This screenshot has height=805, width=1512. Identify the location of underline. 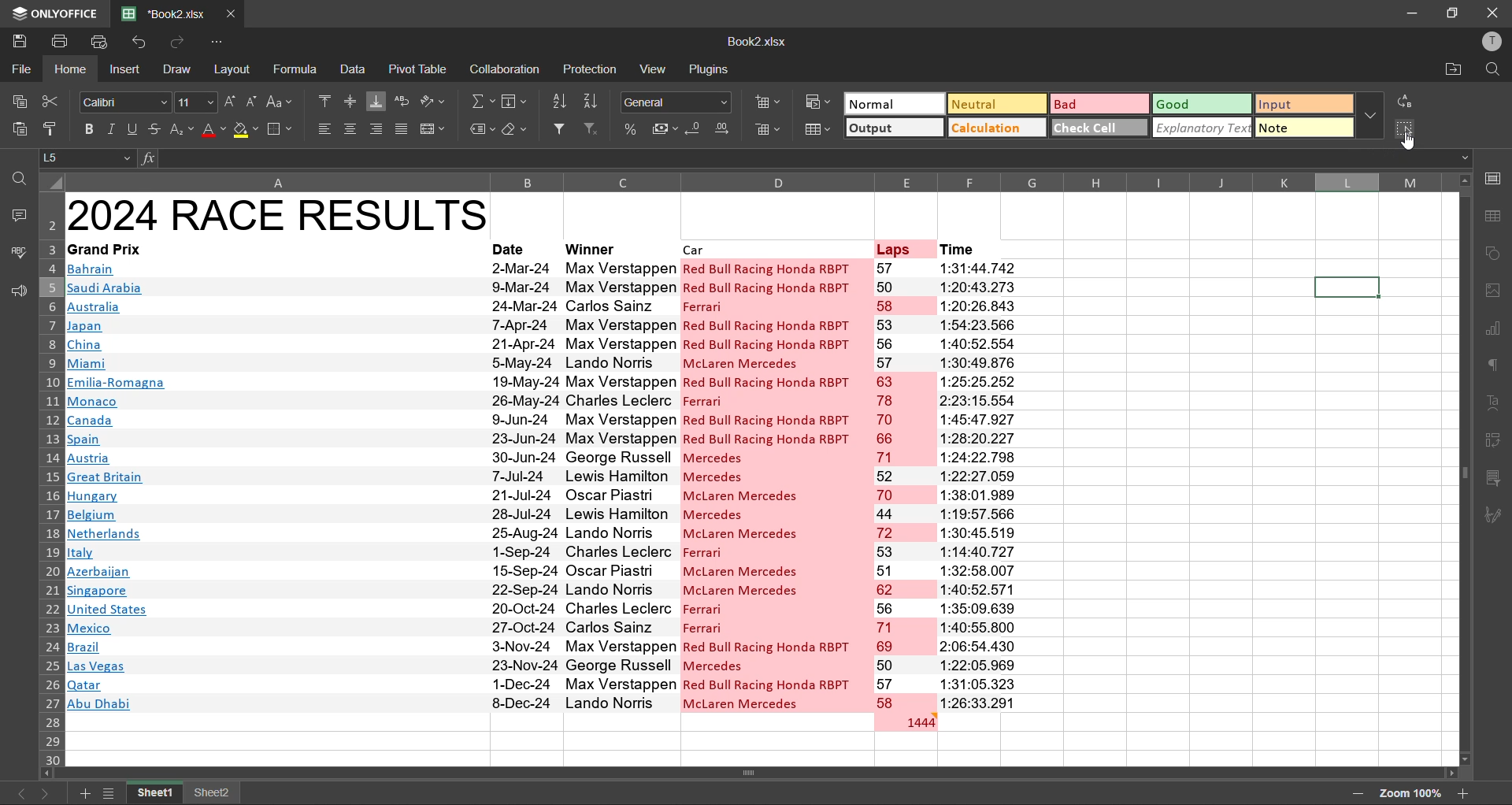
(133, 129).